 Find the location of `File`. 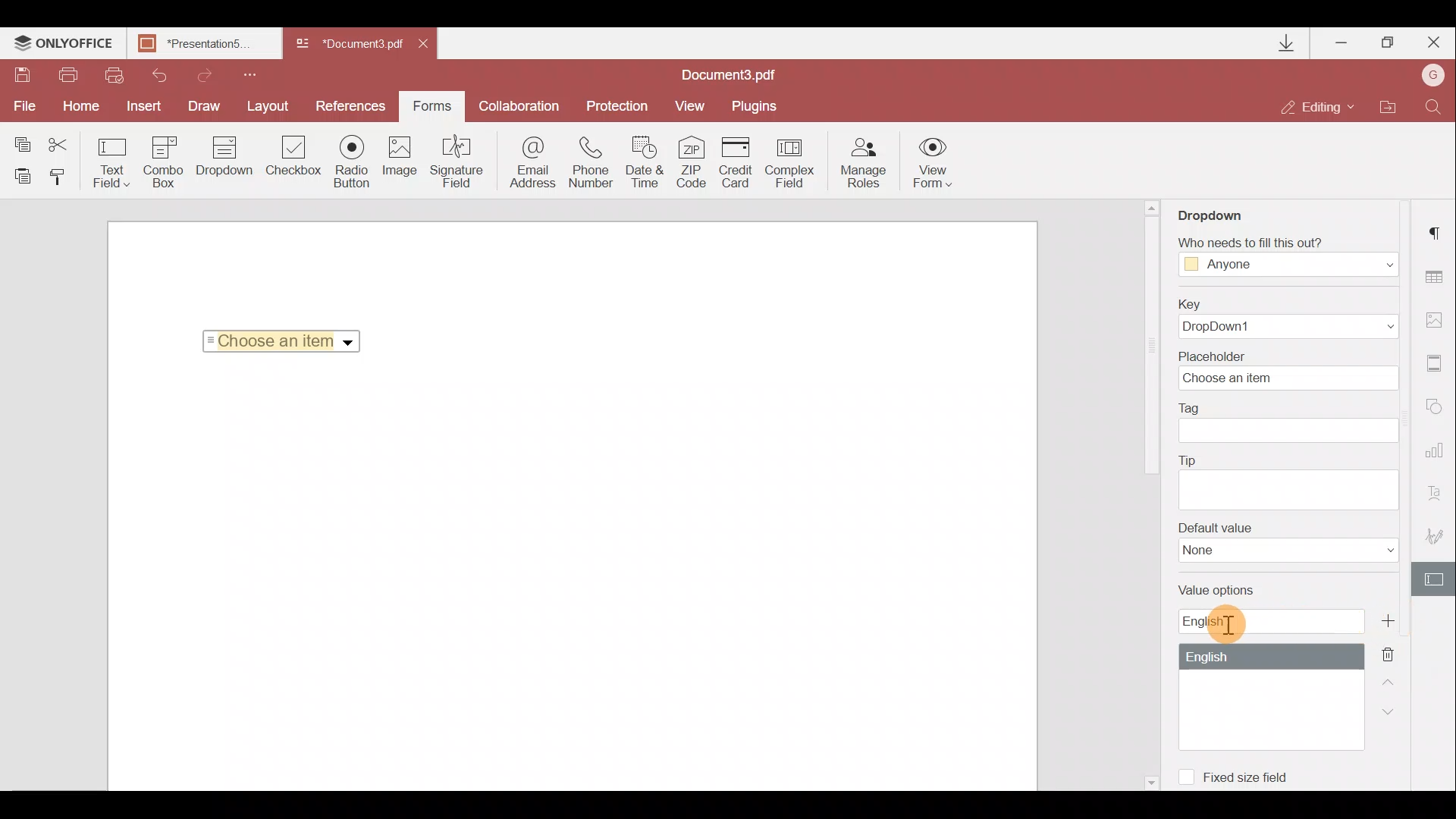

File is located at coordinates (23, 106).